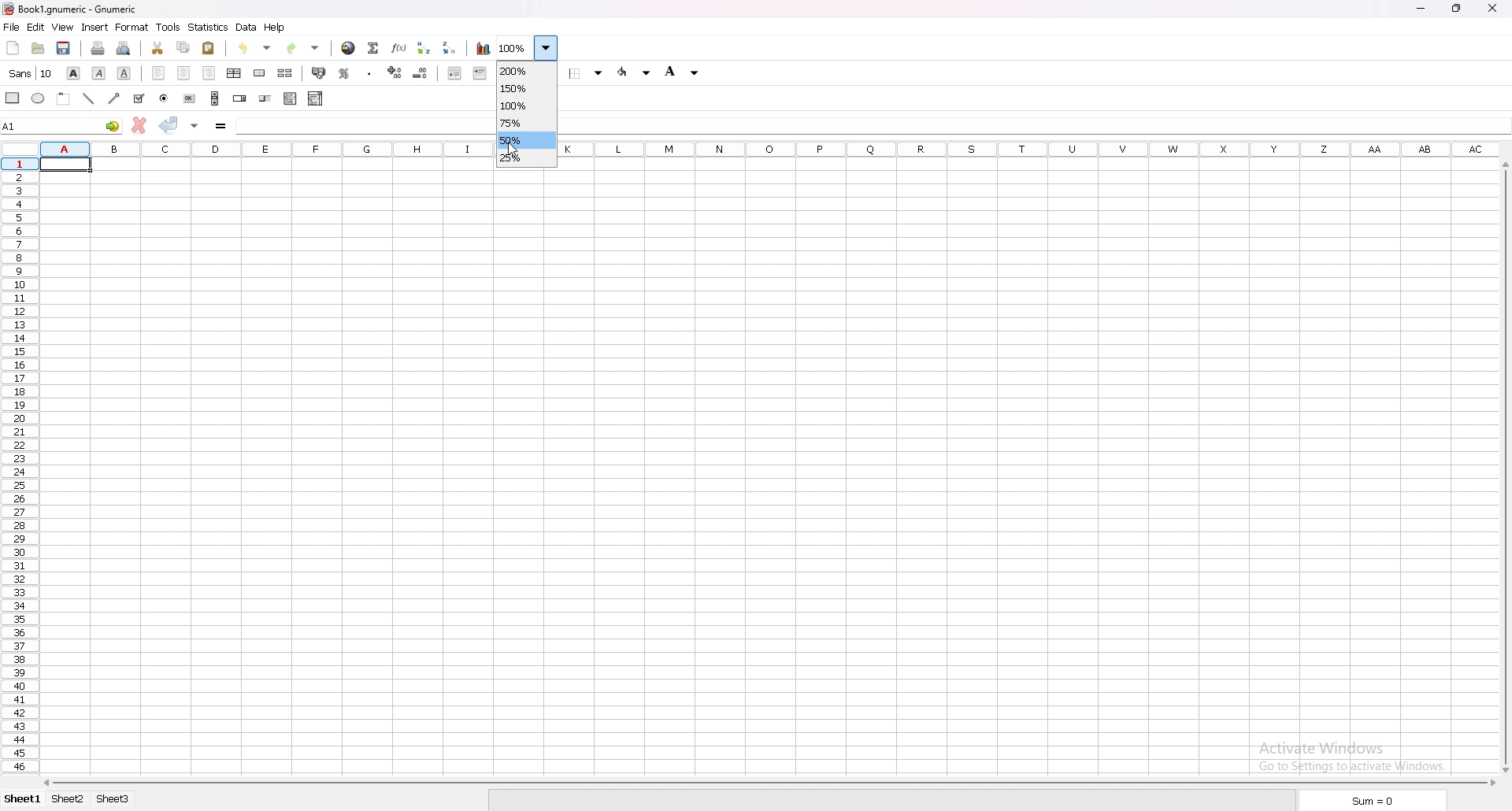  Describe the element at coordinates (600, 72) in the screenshot. I see `Drop down` at that location.